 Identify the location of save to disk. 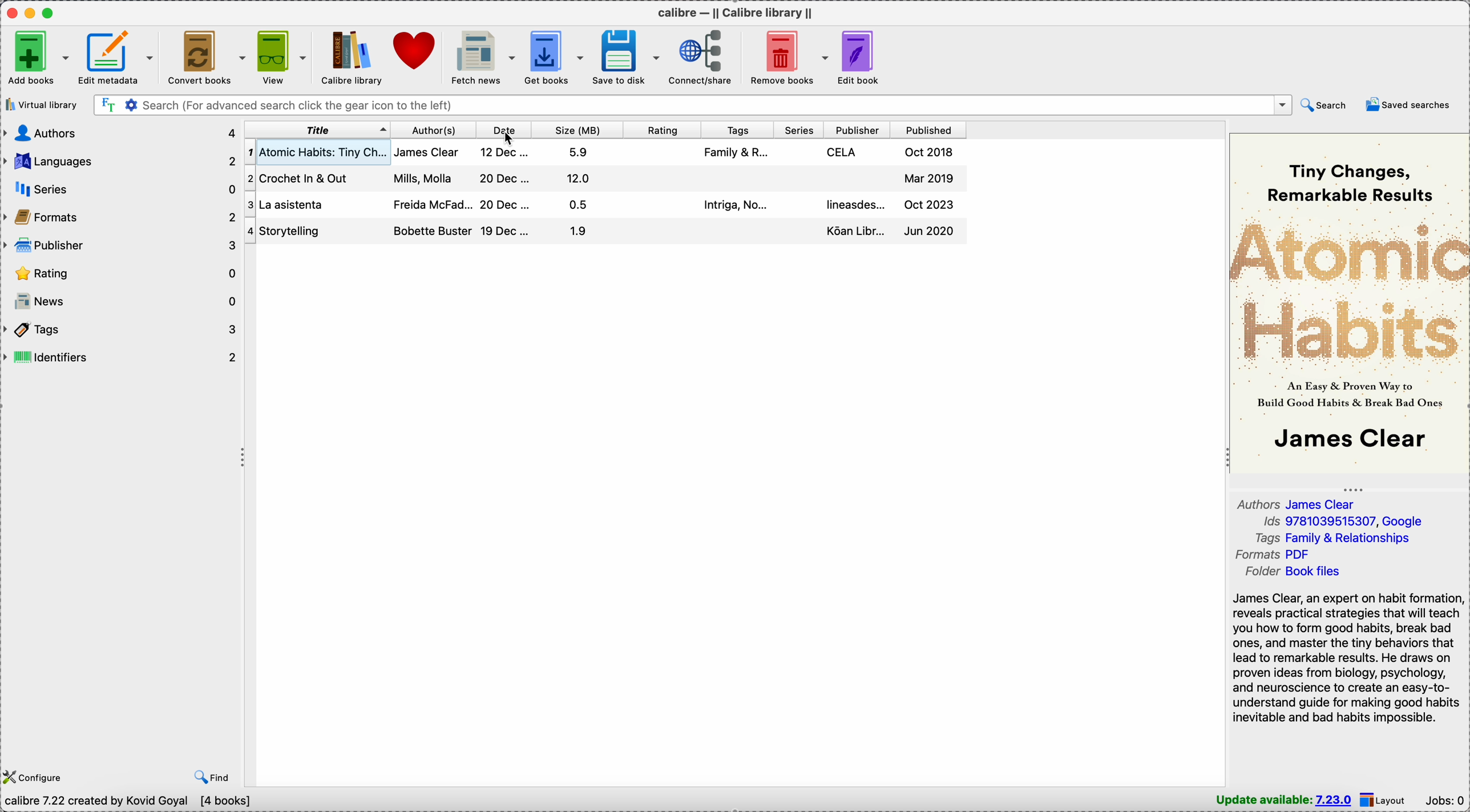
(627, 56).